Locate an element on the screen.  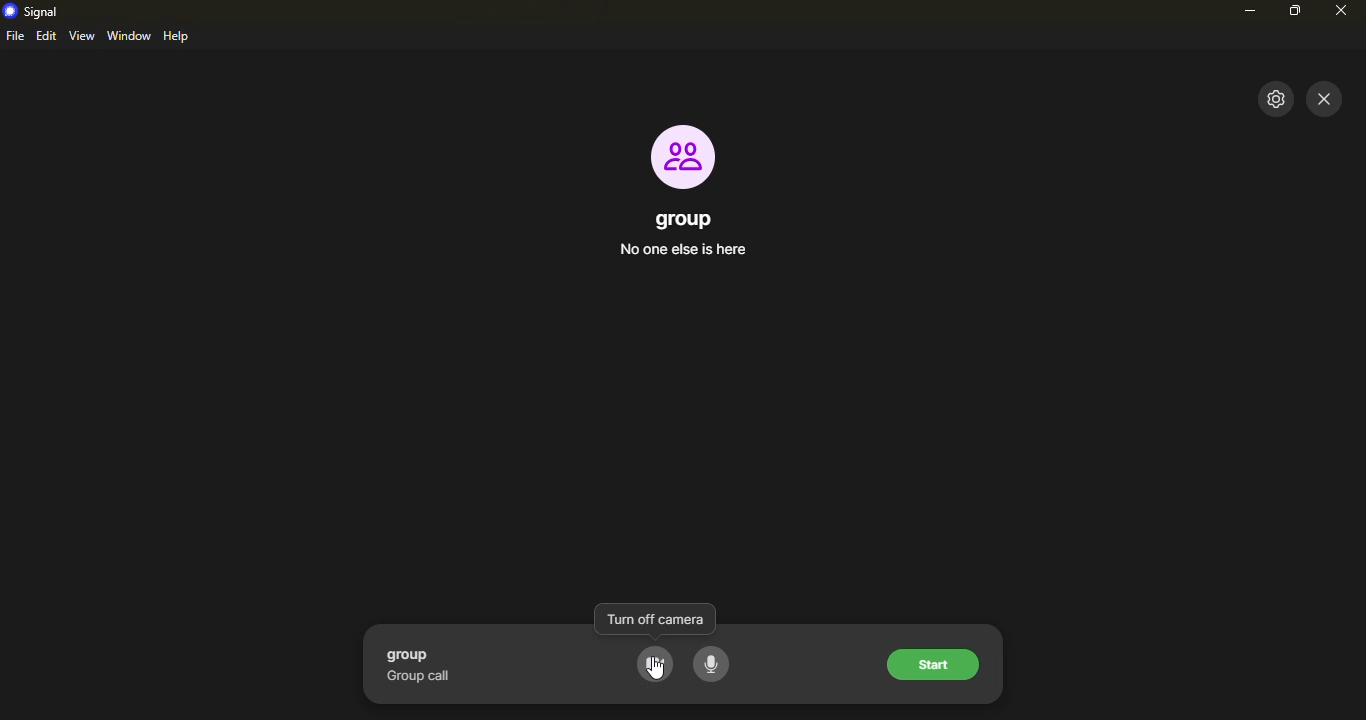
minimize is located at coordinates (1249, 11).